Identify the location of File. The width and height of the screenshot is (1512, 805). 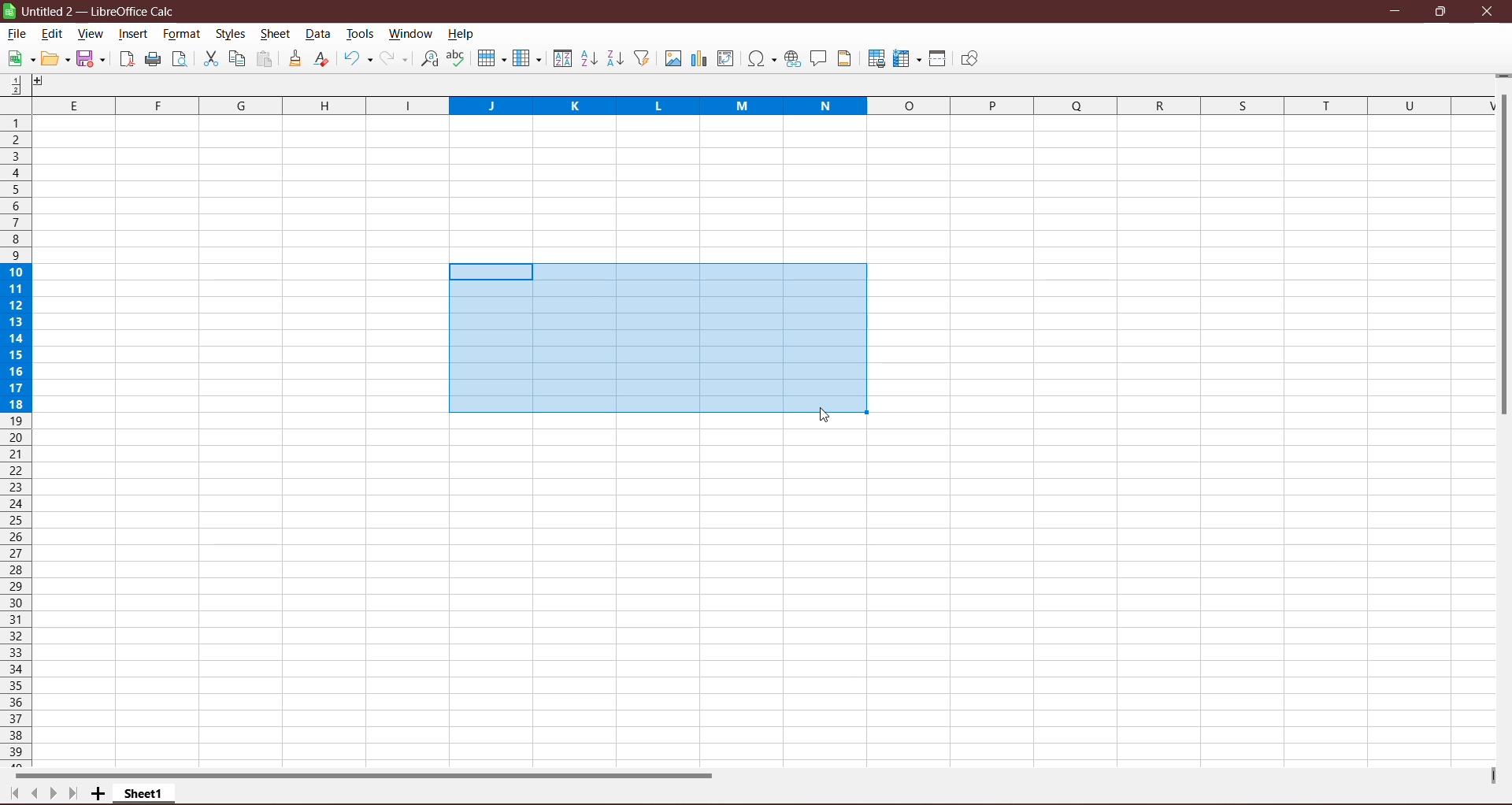
(17, 34).